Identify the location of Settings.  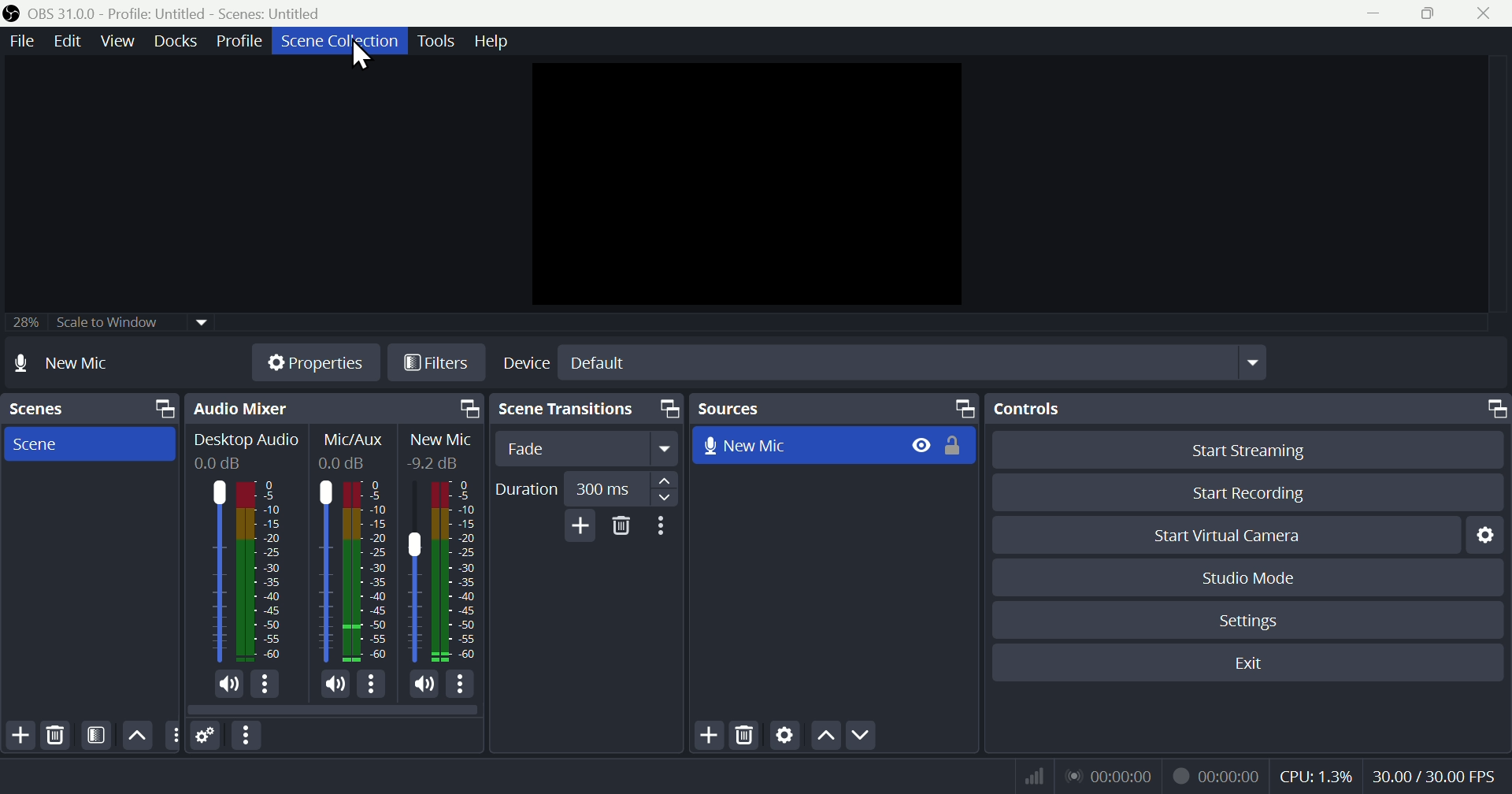
(1483, 537).